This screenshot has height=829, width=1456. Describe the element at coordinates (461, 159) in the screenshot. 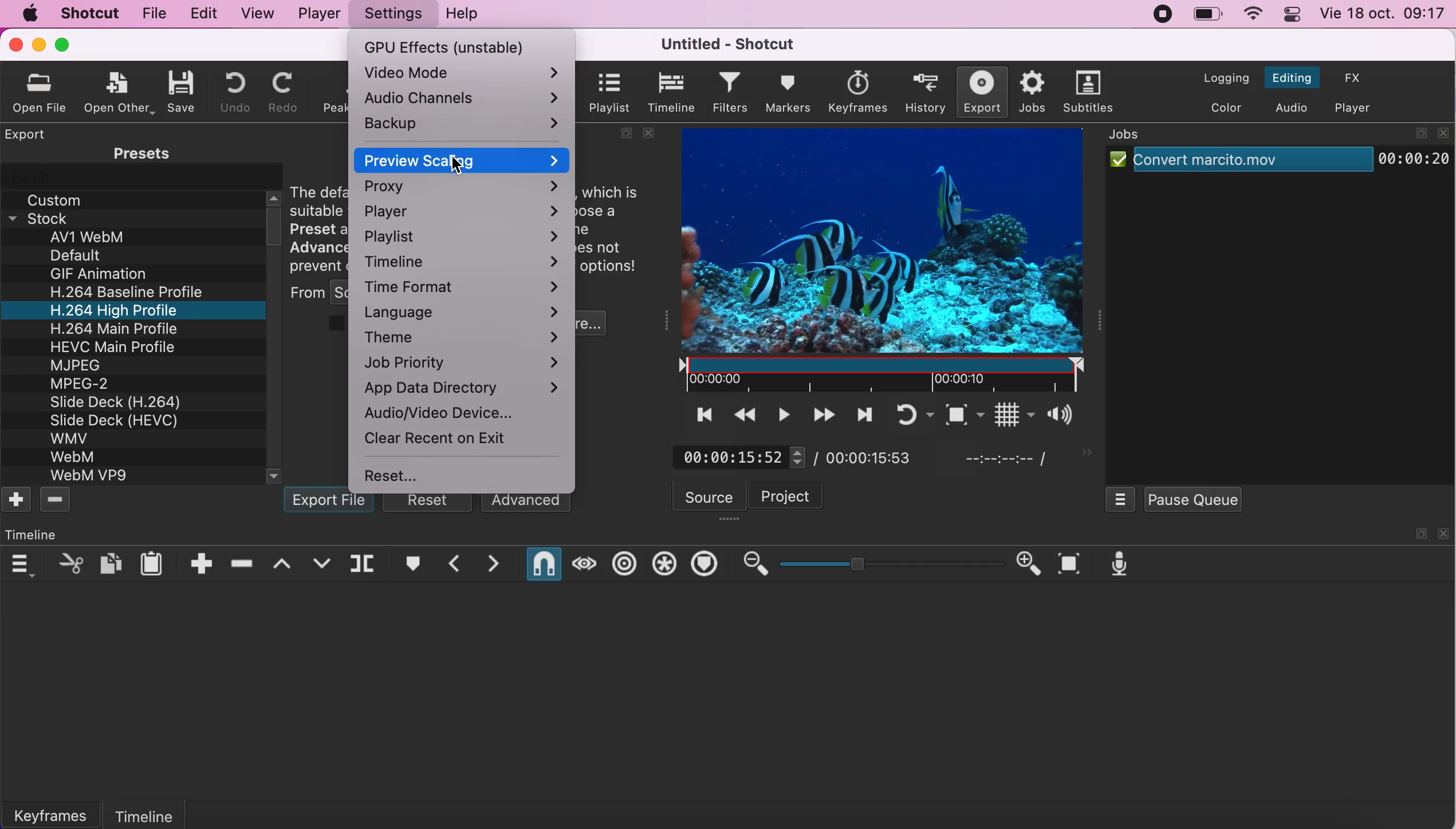

I see `preview scaling` at that location.